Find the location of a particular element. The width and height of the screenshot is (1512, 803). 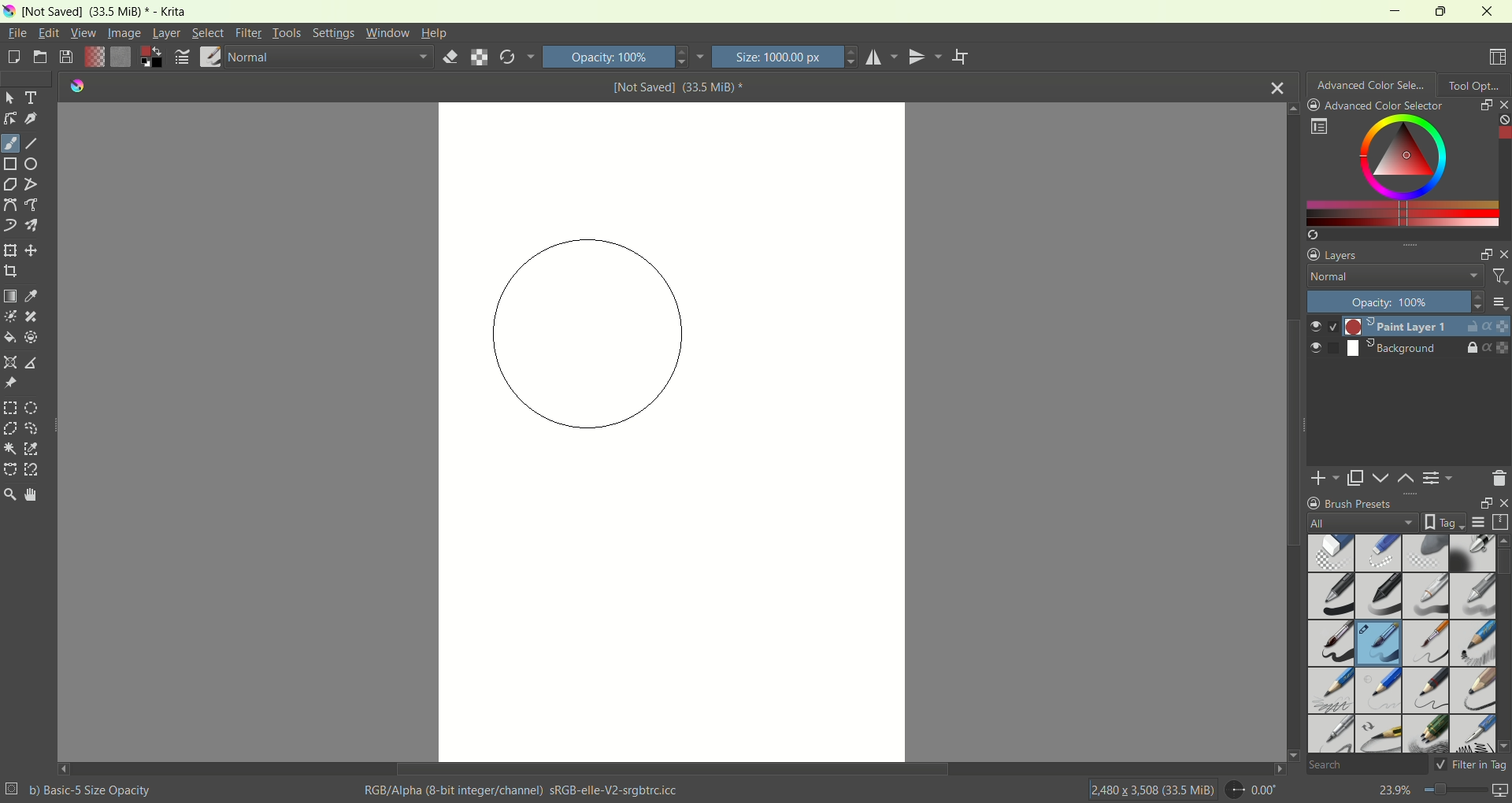

smart patch is located at coordinates (31, 317).